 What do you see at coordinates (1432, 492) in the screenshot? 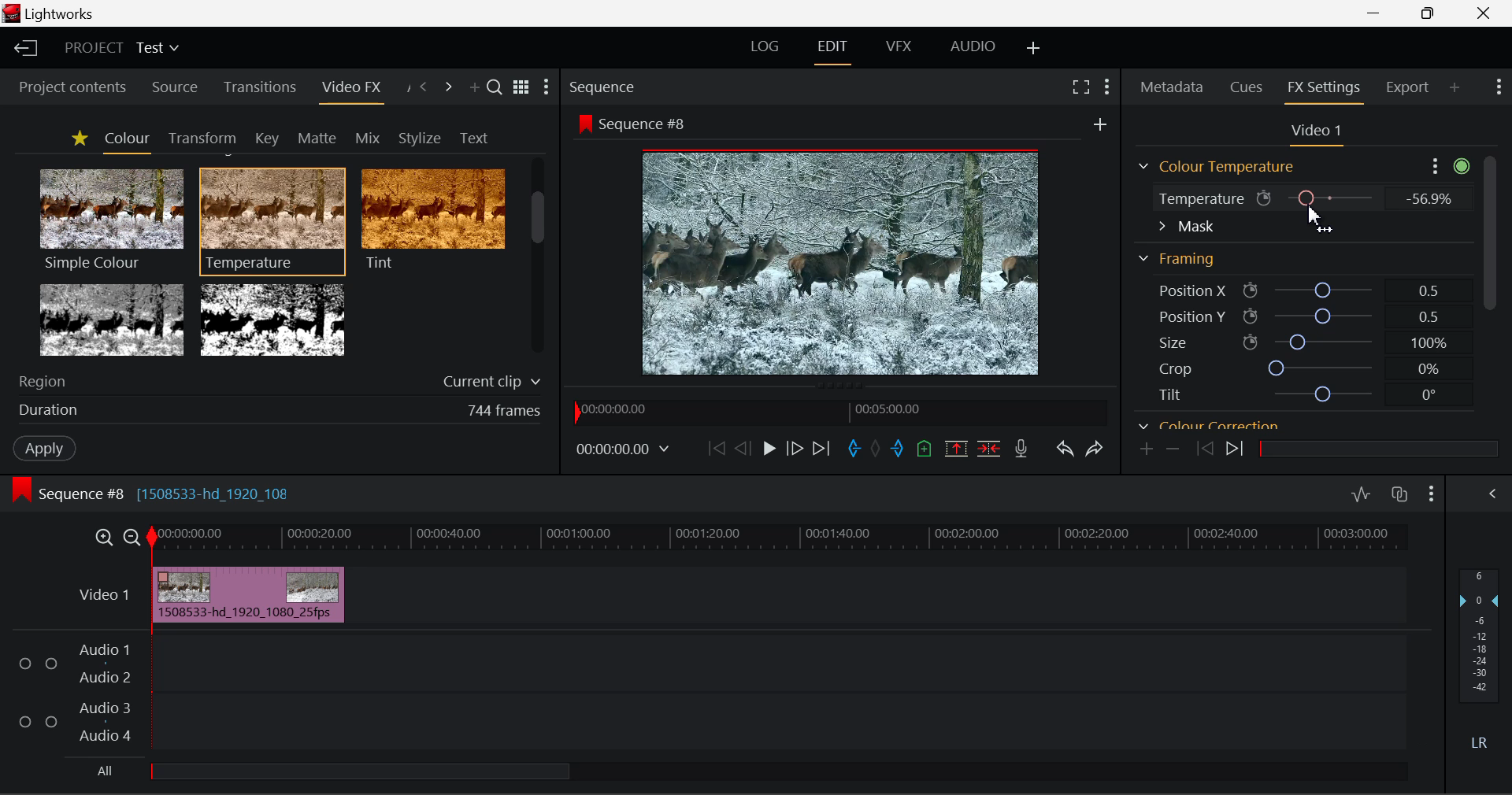
I see `Show Settings` at bounding box center [1432, 492].